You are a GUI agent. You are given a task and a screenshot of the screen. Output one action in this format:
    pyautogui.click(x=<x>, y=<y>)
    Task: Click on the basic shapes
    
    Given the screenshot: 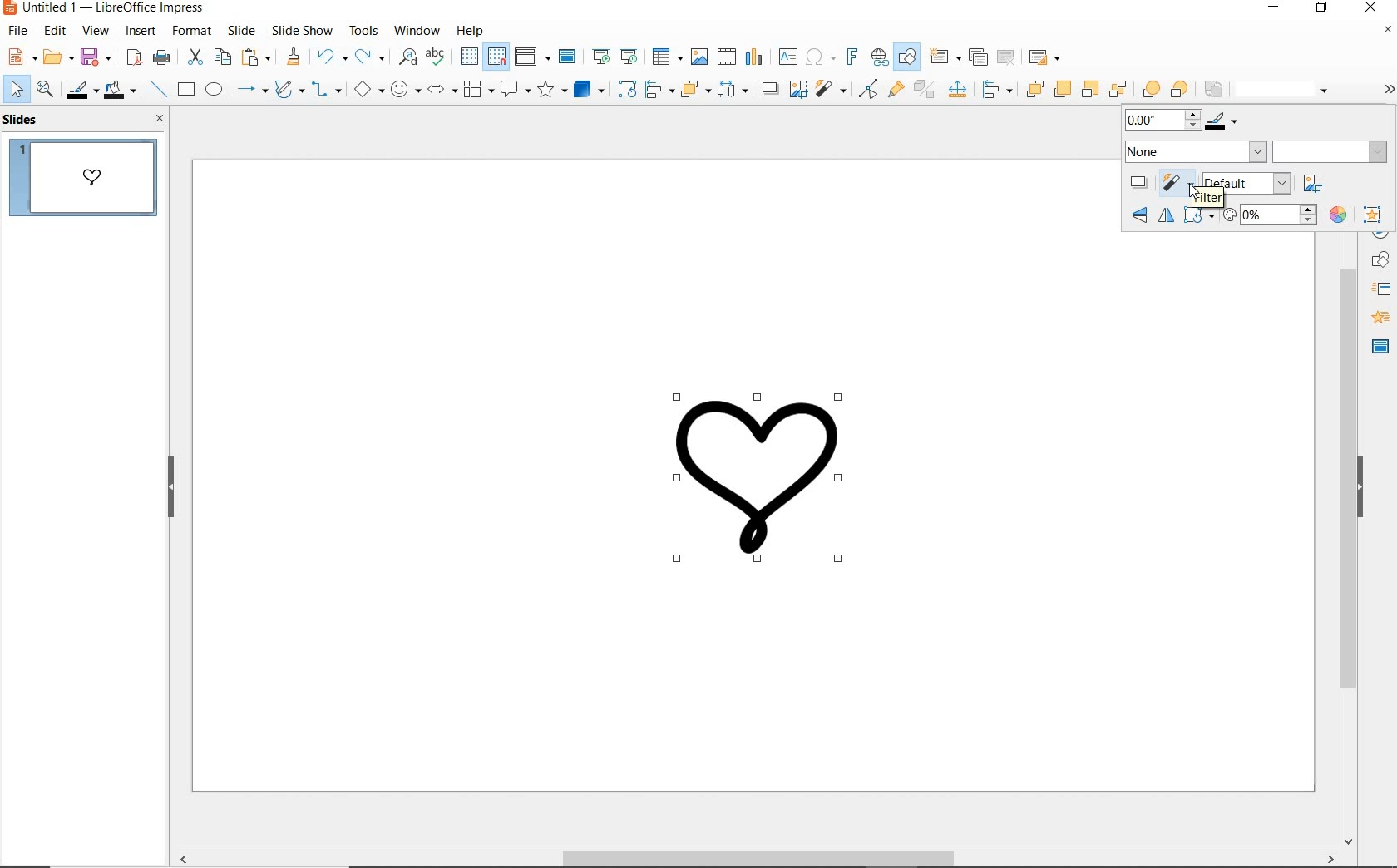 What is the action you would take?
    pyautogui.click(x=367, y=91)
    